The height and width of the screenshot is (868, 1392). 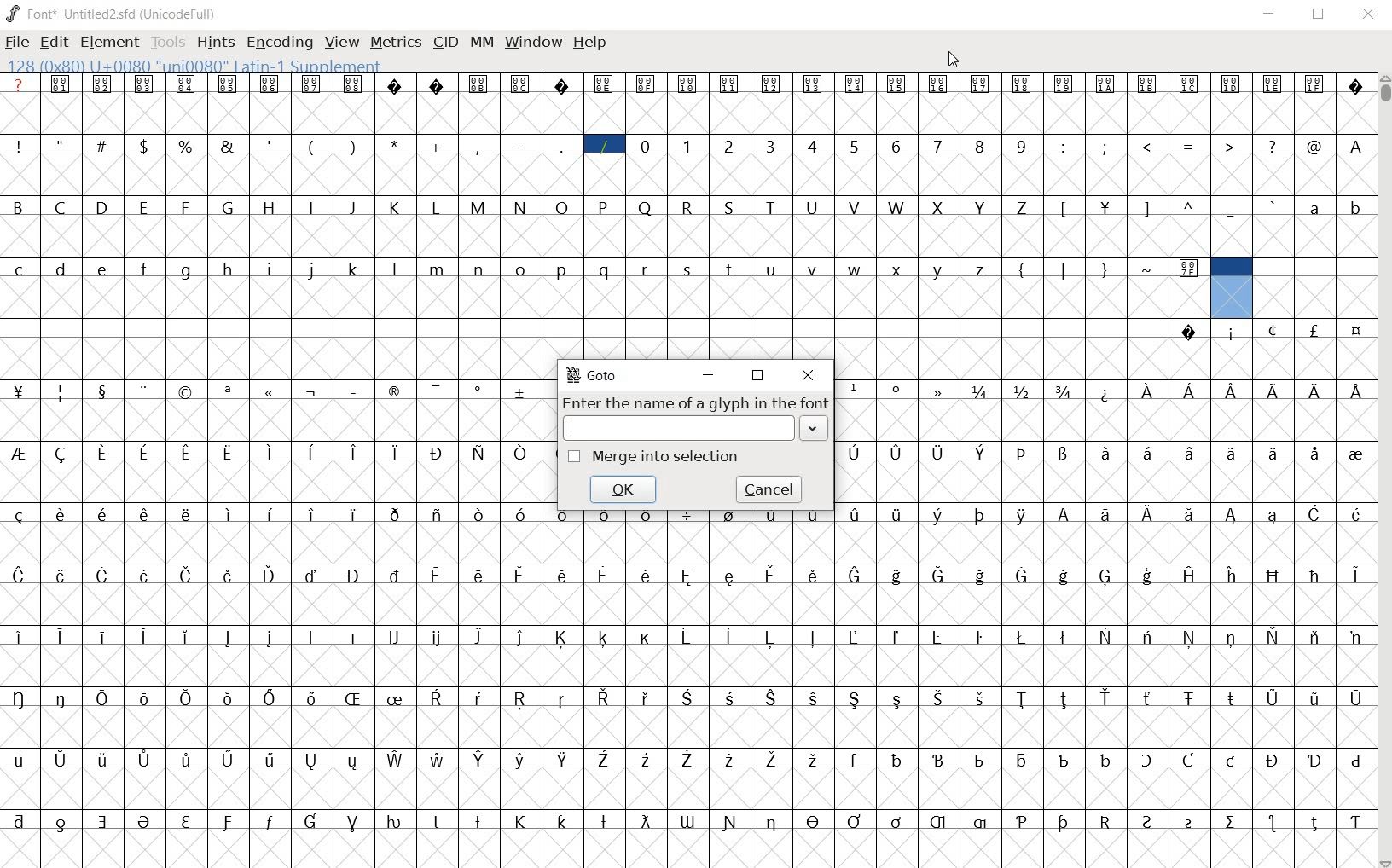 What do you see at coordinates (353, 391) in the screenshot?
I see `Symbol` at bounding box center [353, 391].